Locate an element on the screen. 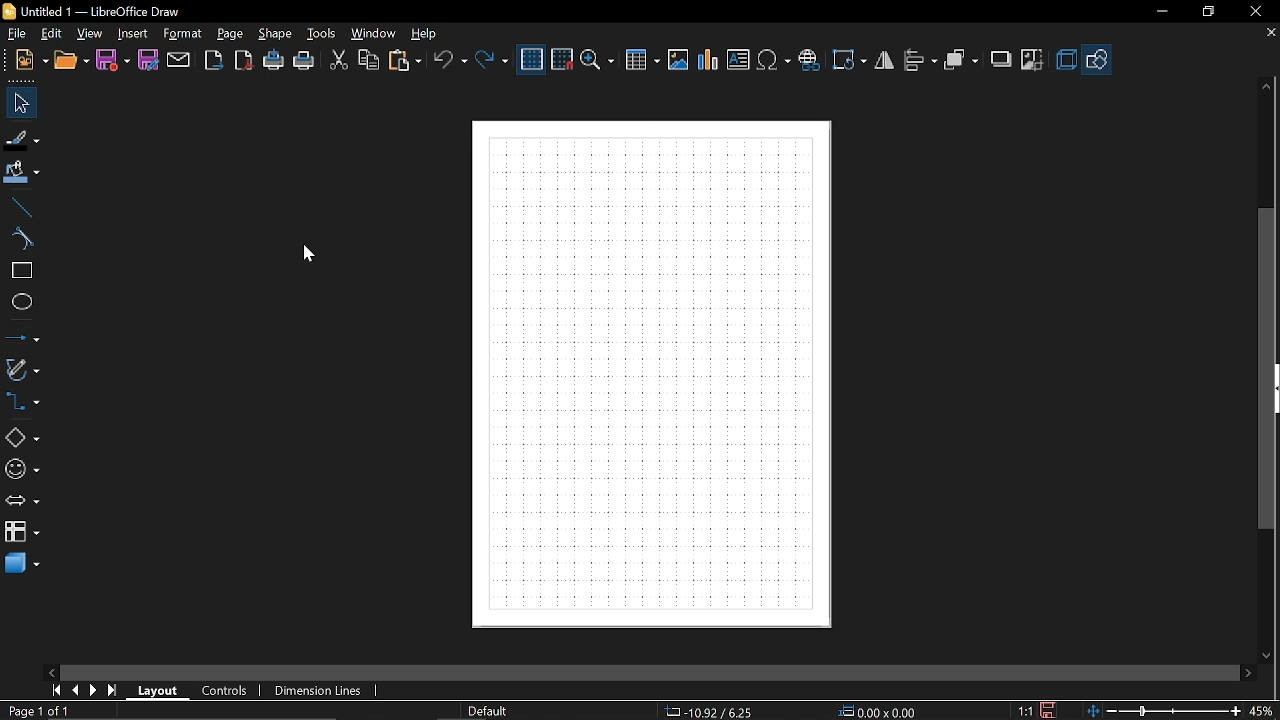  cut is located at coordinates (339, 61).